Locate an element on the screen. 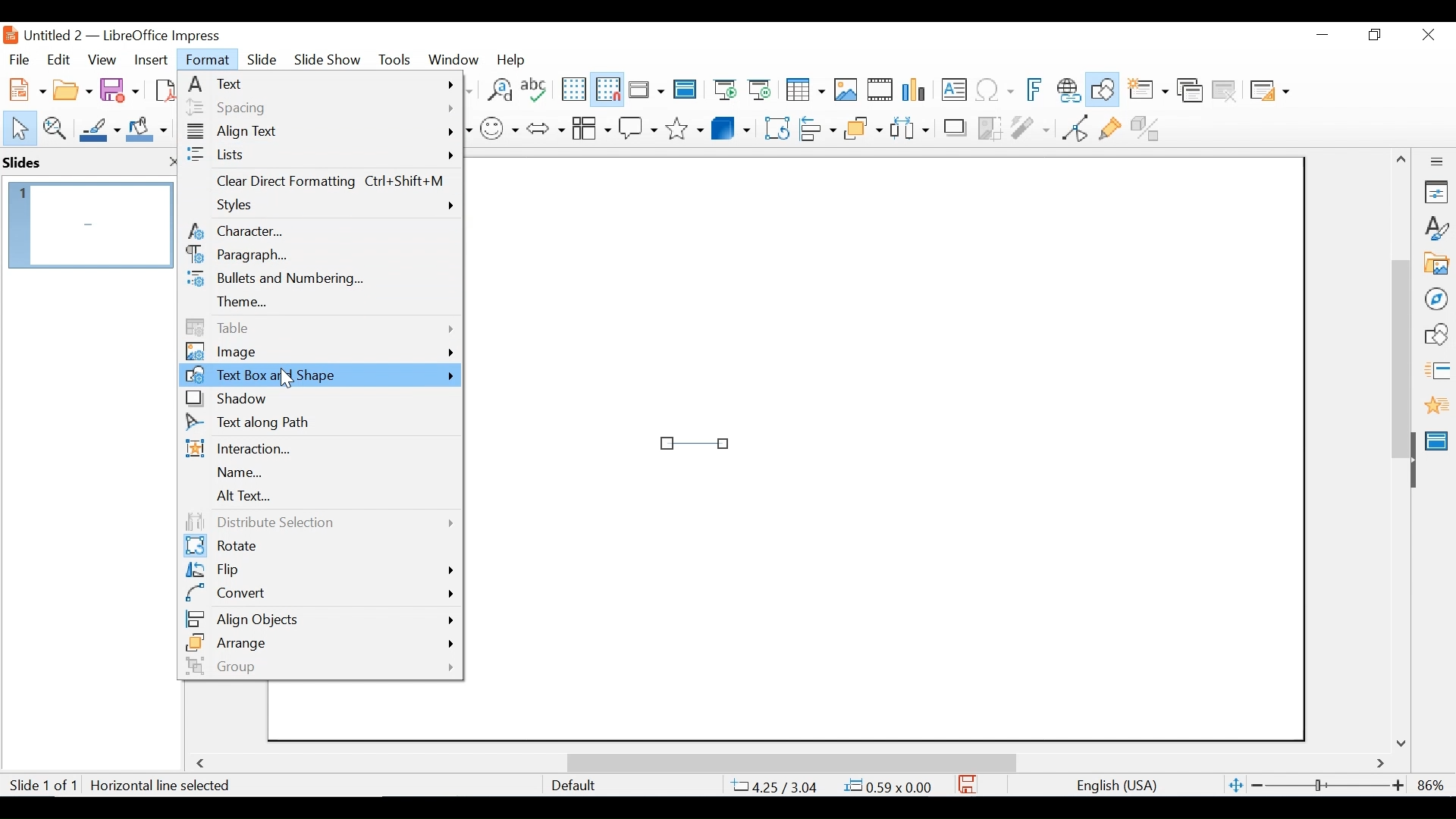 The width and height of the screenshot is (1456, 819). Shadow Image is located at coordinates (956, 127).